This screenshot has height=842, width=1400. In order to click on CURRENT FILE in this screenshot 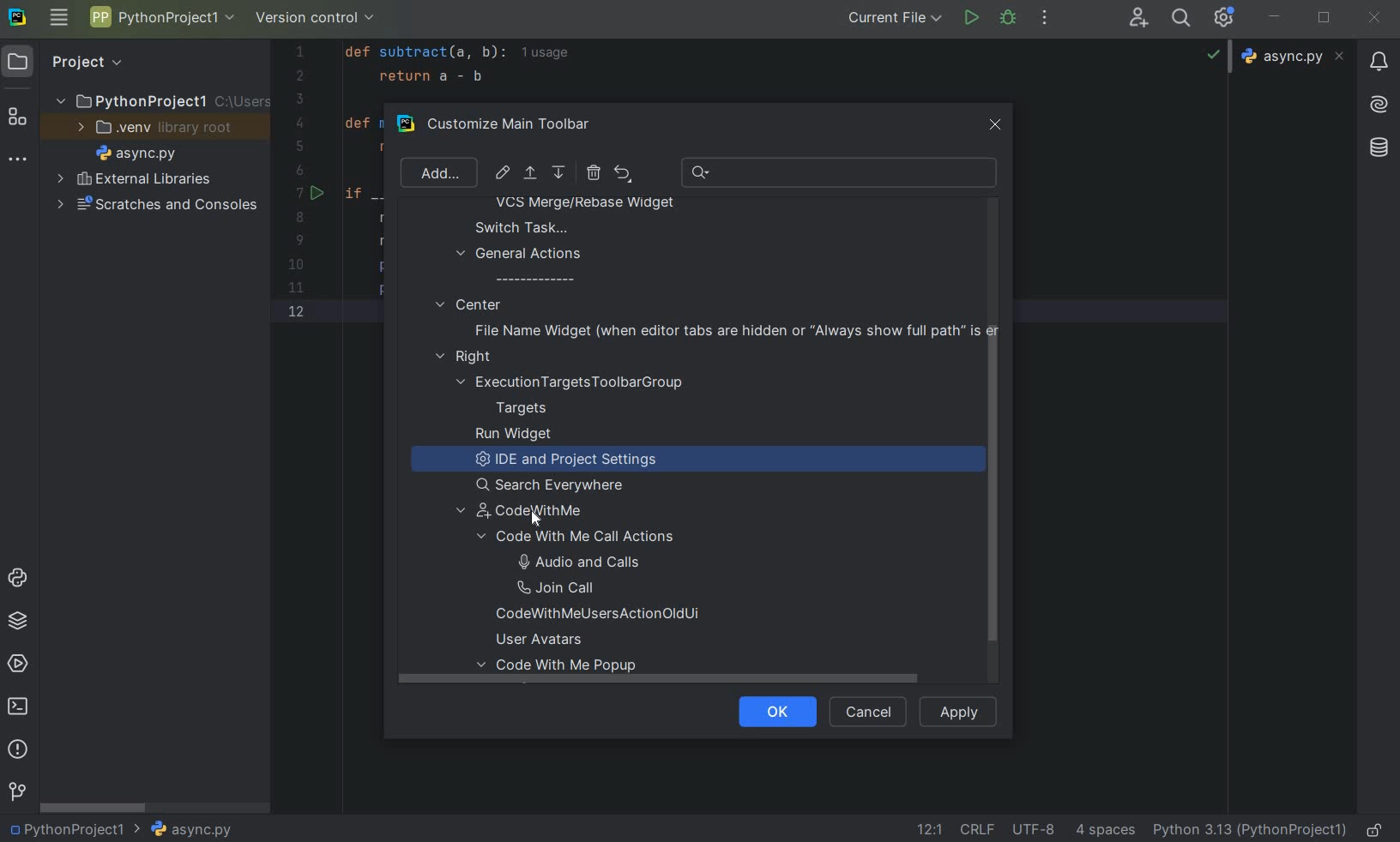, I will do `click(895, 17)`.